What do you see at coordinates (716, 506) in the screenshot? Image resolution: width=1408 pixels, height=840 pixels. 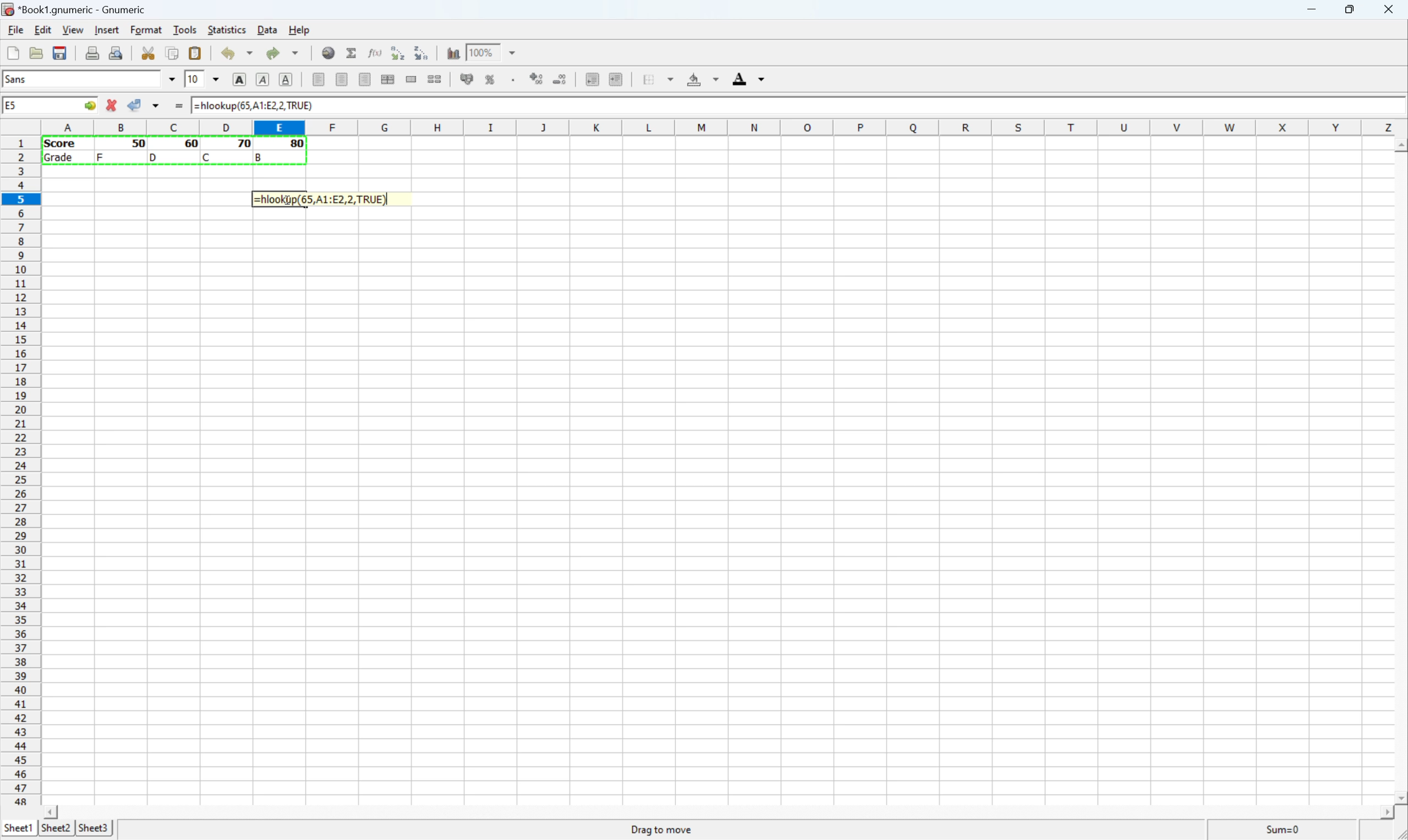 I see `cells` at bounding box center [716, 506].